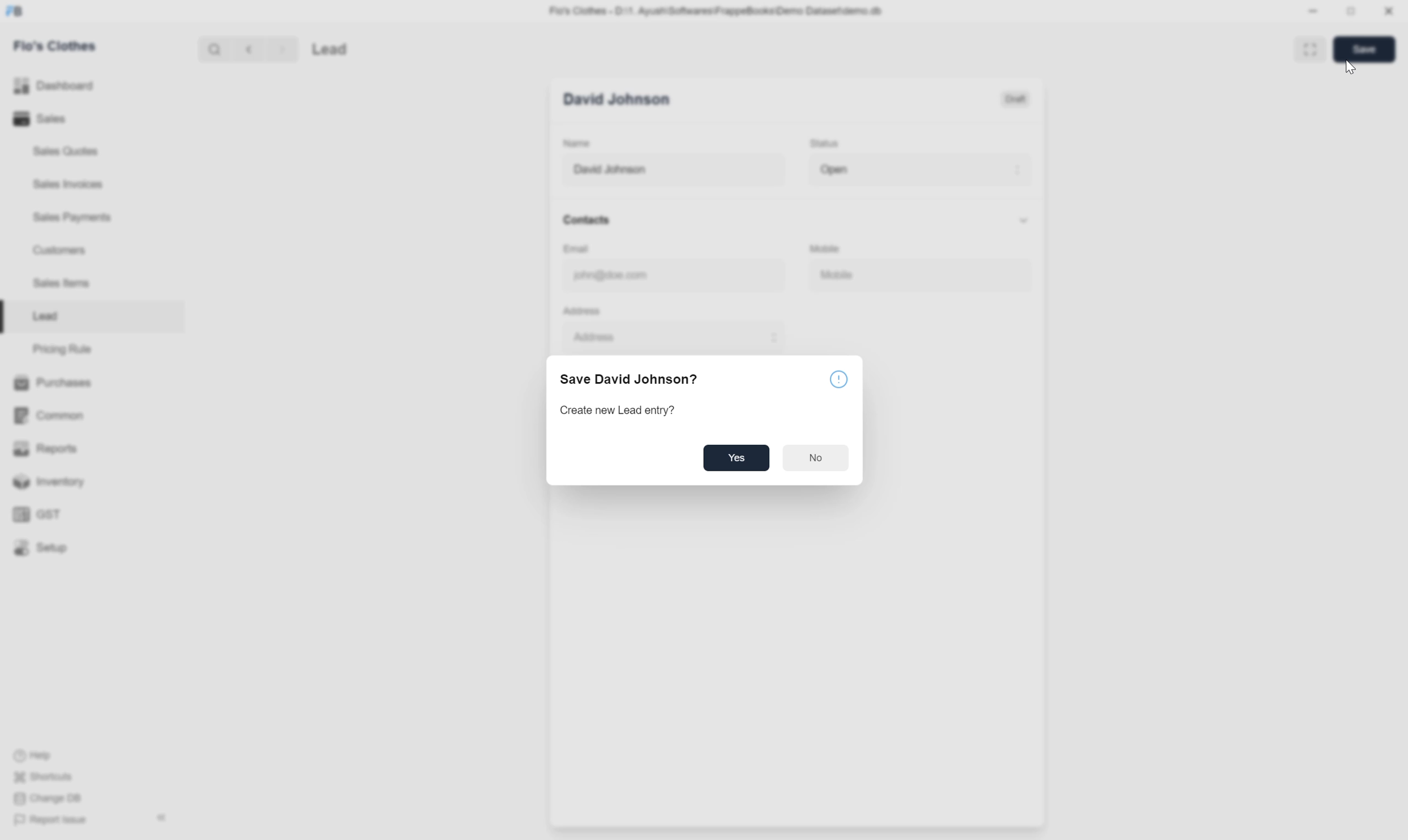  Describe the element at coordinates (621, 99) in the screenshot. I see `David Johnson` at that location.